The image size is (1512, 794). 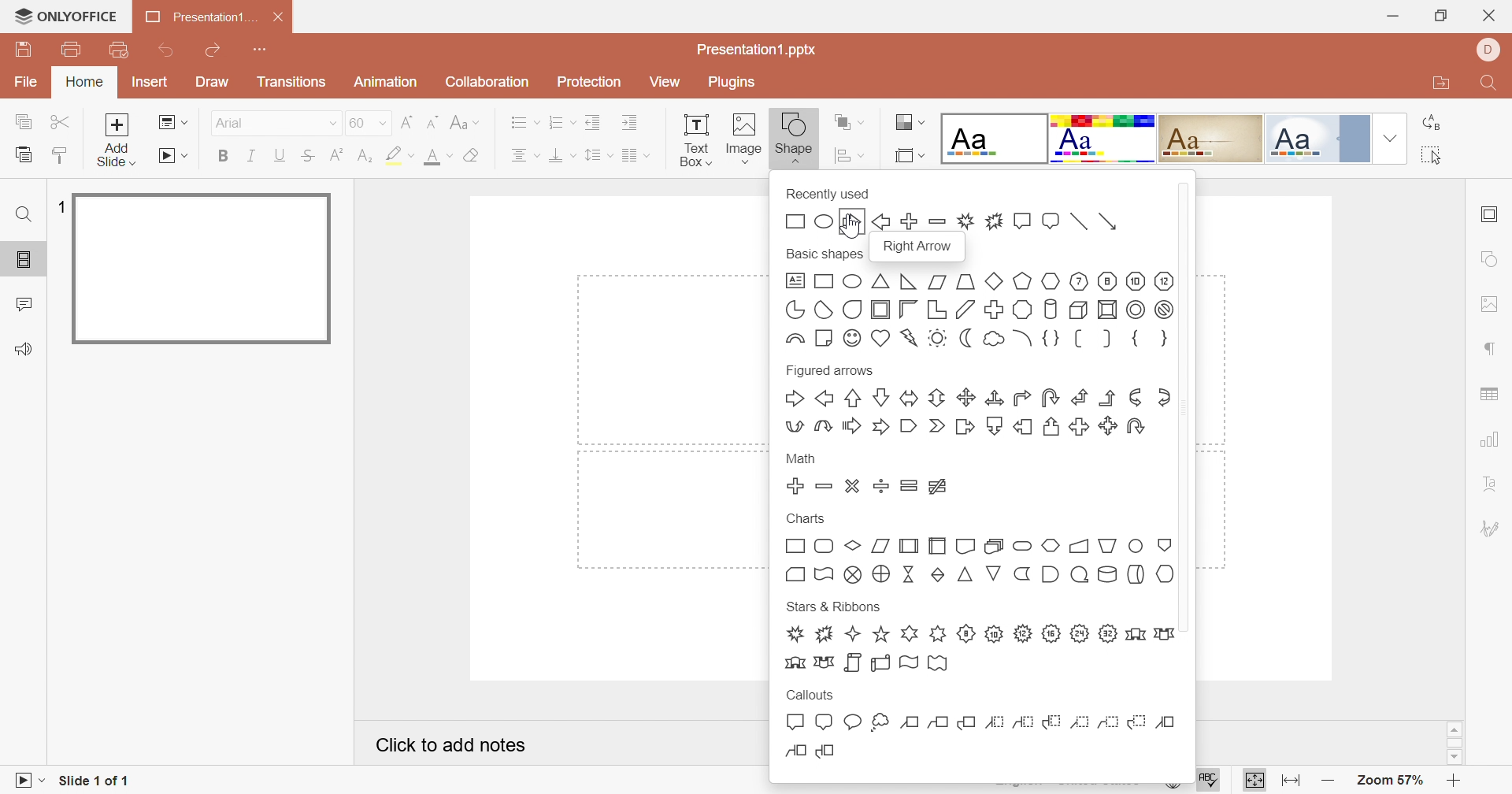 I want to click on Numbering, so click(x=558, y=121).